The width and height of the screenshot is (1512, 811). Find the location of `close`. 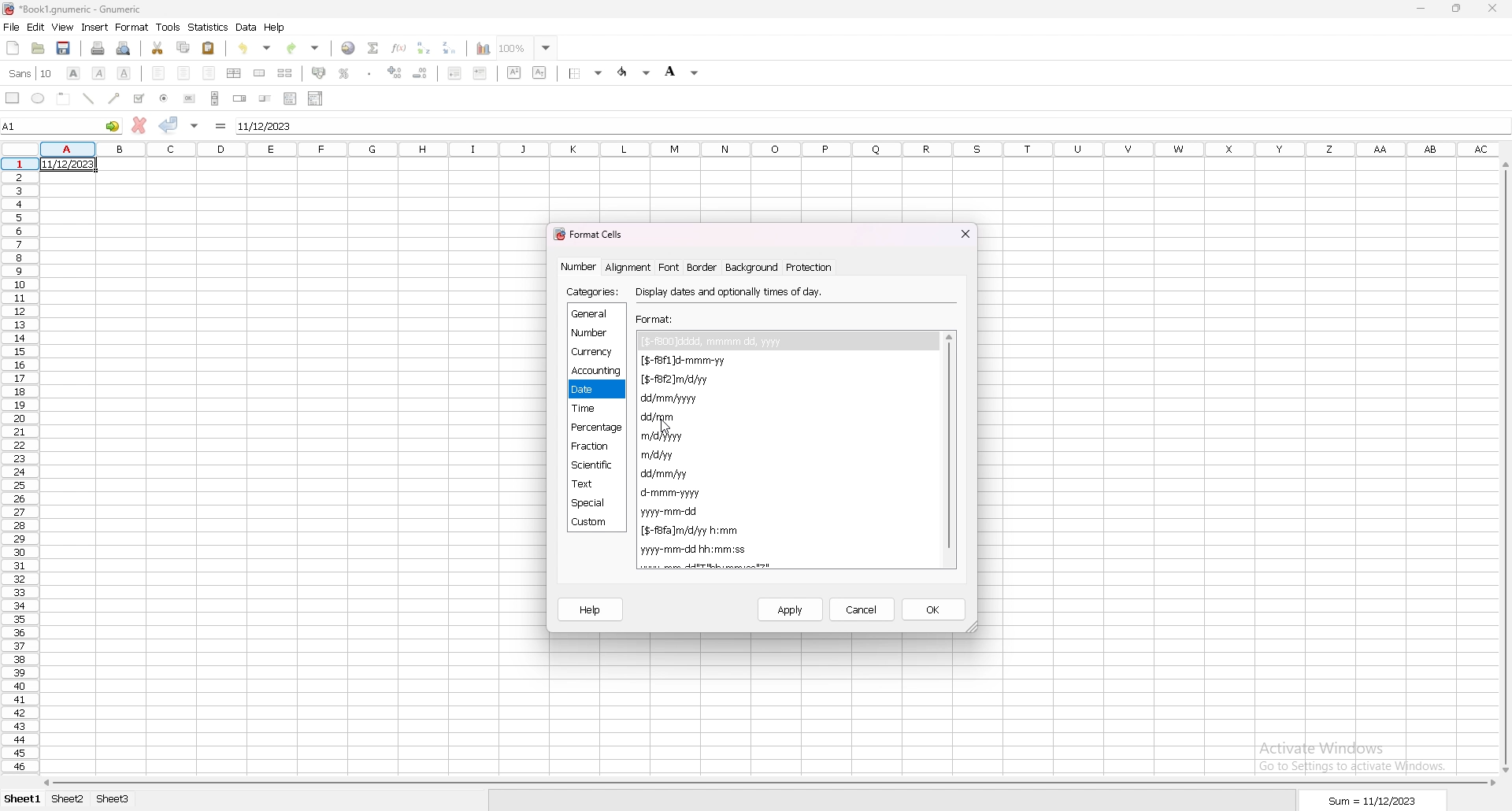

close is located at coordinates (965, 233).